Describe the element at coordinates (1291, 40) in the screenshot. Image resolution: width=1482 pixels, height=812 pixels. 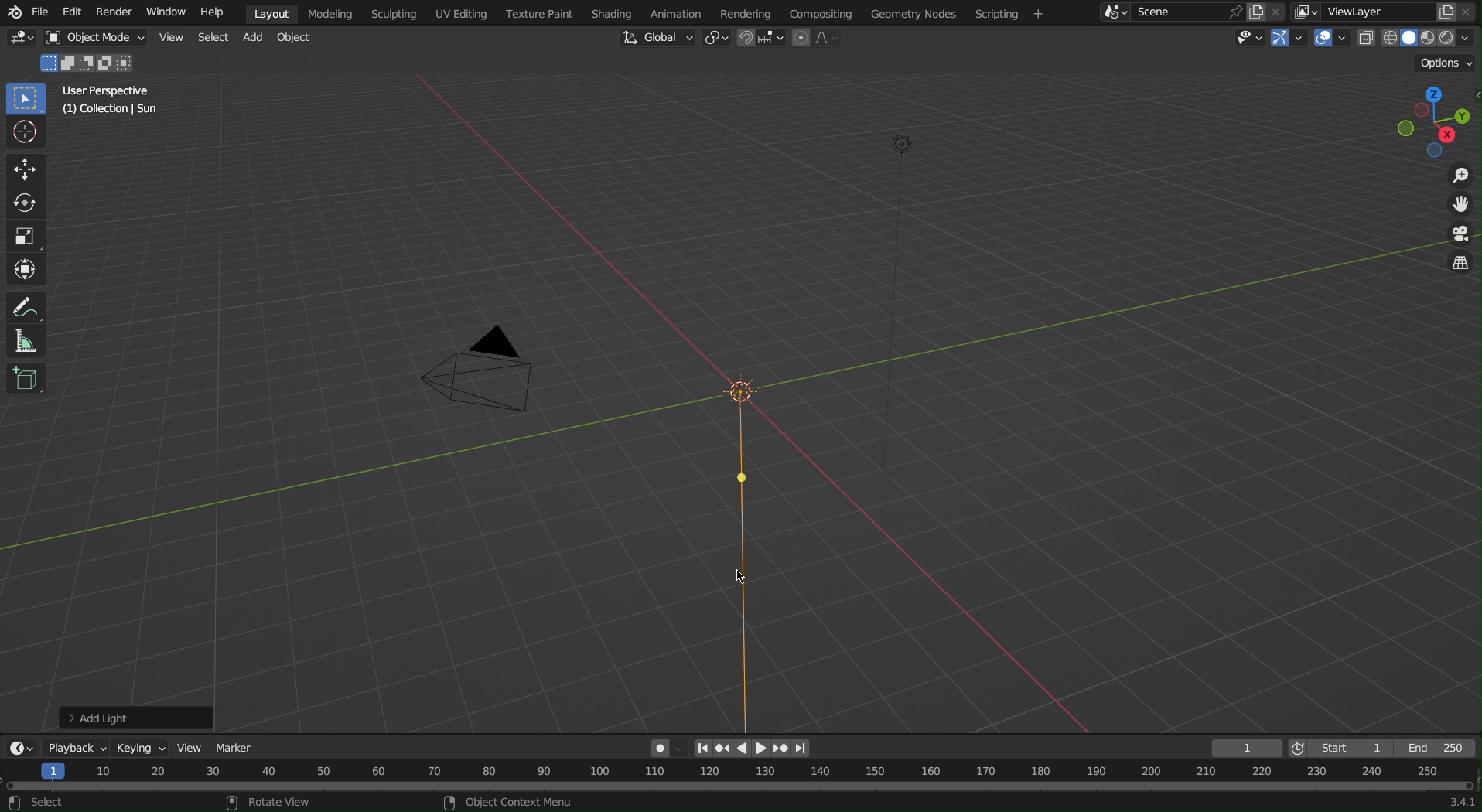
I see `Show Gizmos` at that location.